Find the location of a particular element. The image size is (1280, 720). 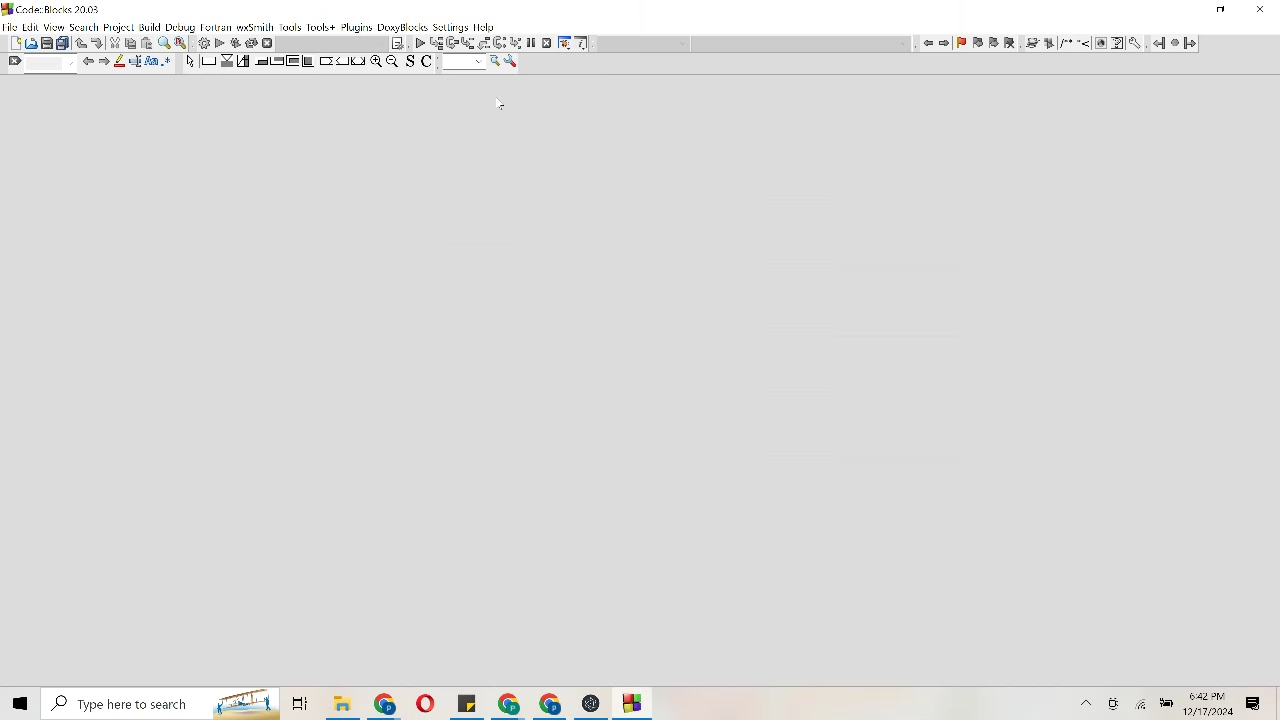

Cut is located at coordinates (139, 43).